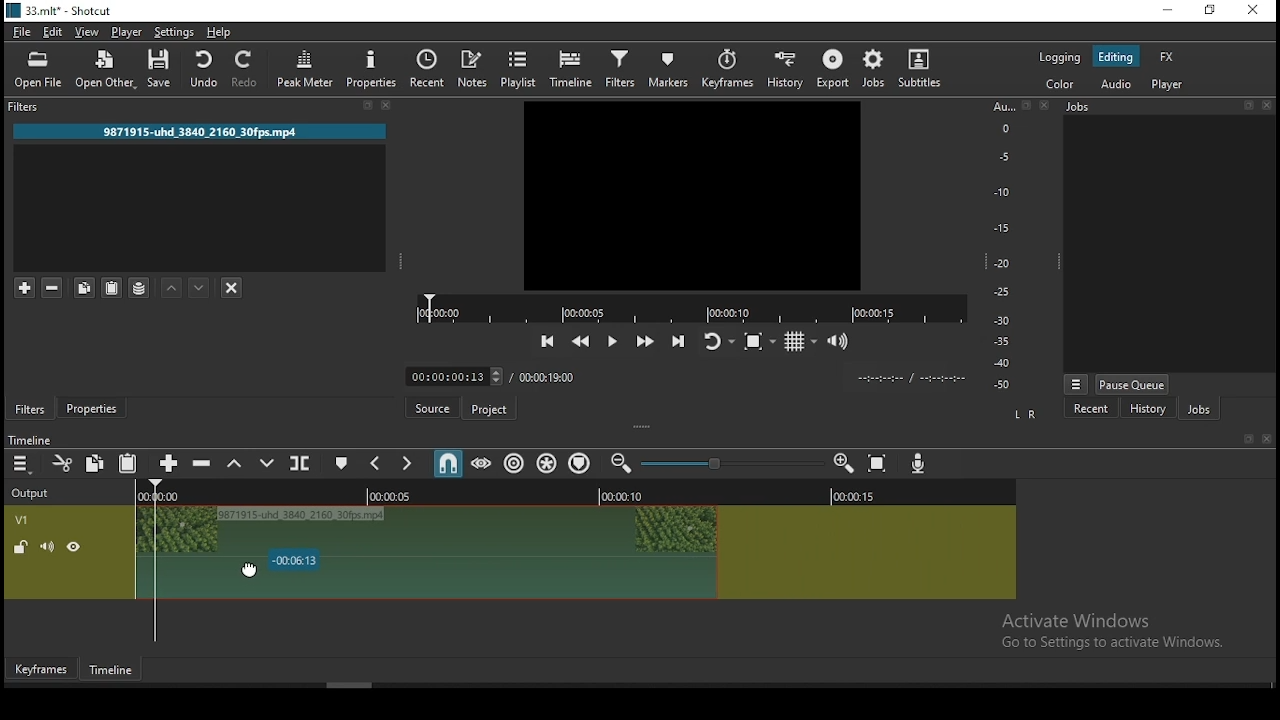 The height and width of the screenshot is (720, 1280). Describe the element at coordinates (1136, 382) in the screenshot. I see `pause queue` at that location.